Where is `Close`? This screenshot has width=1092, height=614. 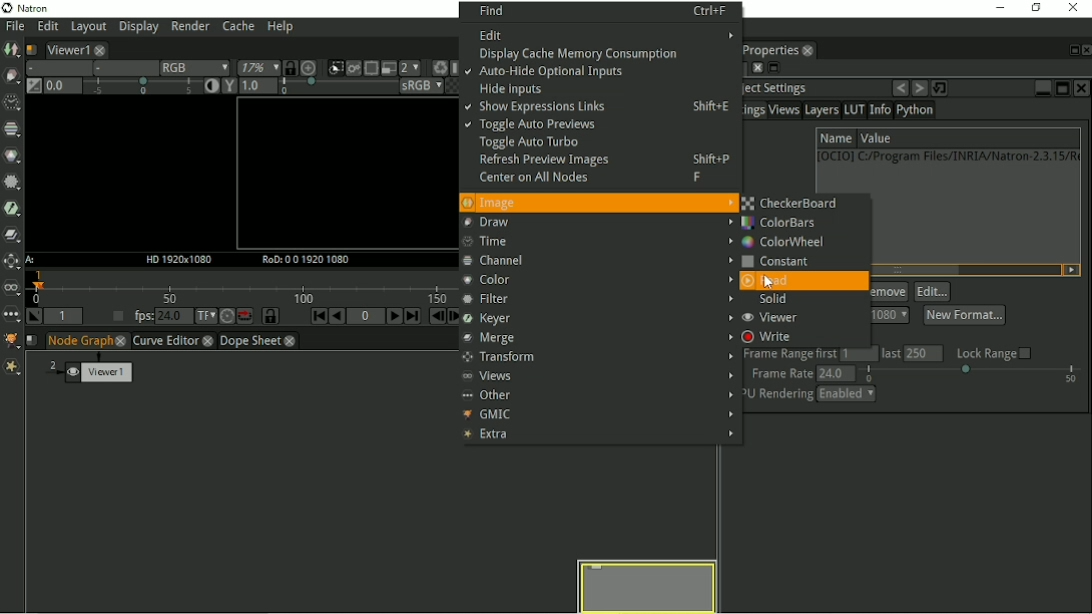 Close is located at coordinates (1075, 8).